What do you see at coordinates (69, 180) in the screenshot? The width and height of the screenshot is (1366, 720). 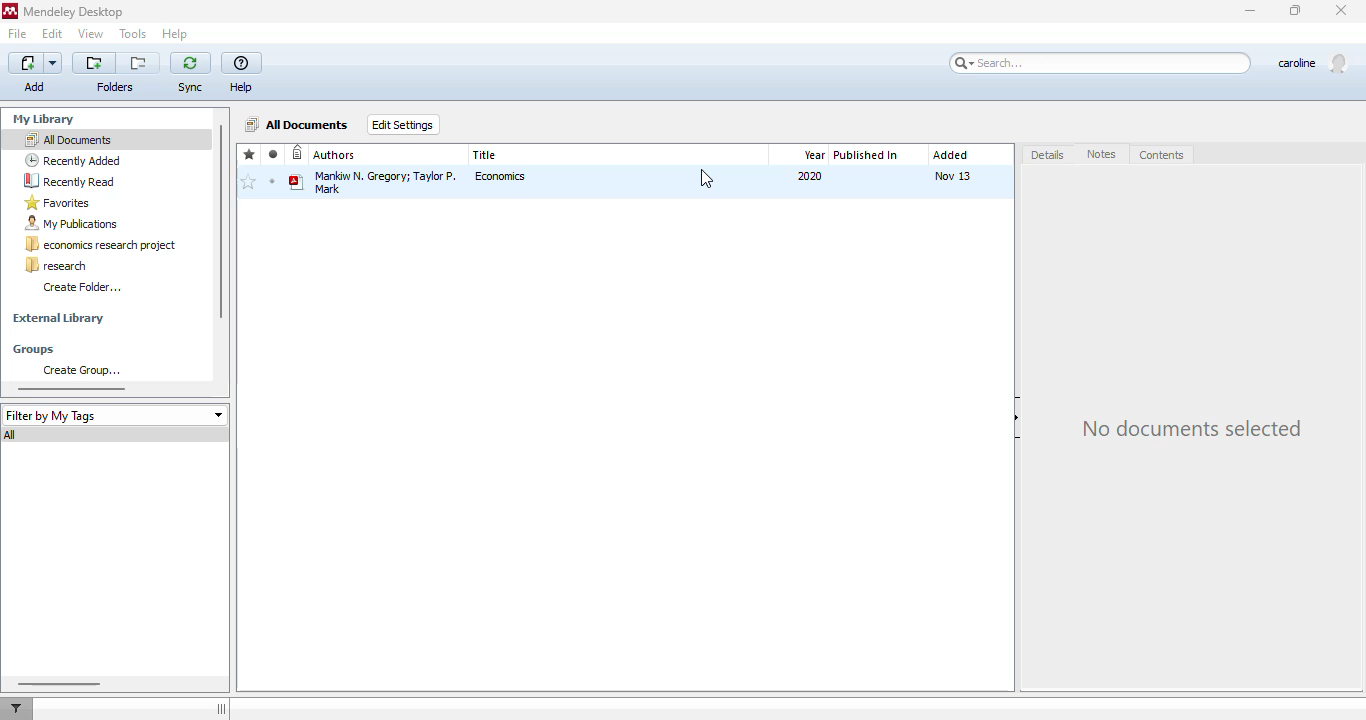 I see `recently read` at bounding box center [69, 180].